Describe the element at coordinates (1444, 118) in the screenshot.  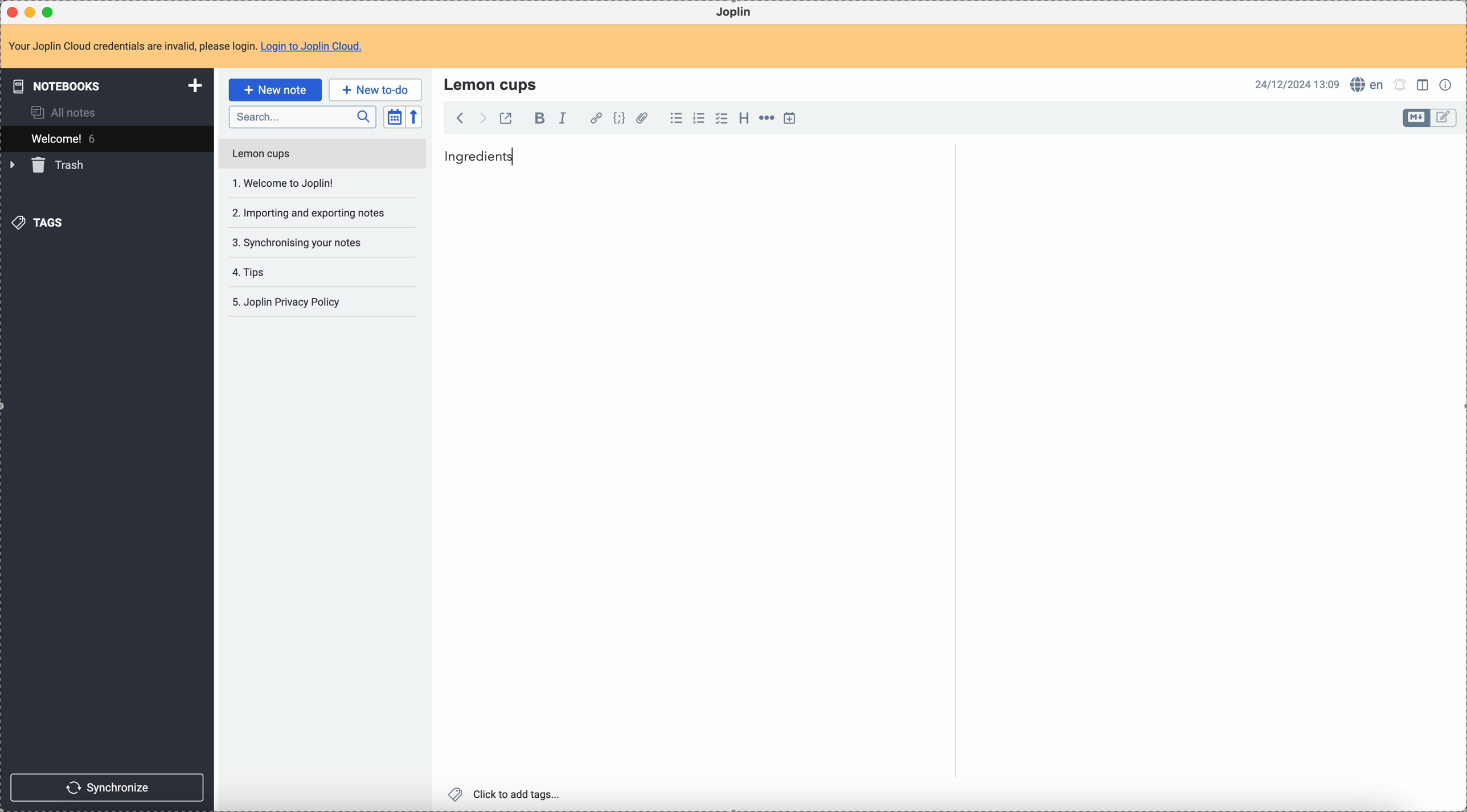
I see `toggle edit layout` at that location.